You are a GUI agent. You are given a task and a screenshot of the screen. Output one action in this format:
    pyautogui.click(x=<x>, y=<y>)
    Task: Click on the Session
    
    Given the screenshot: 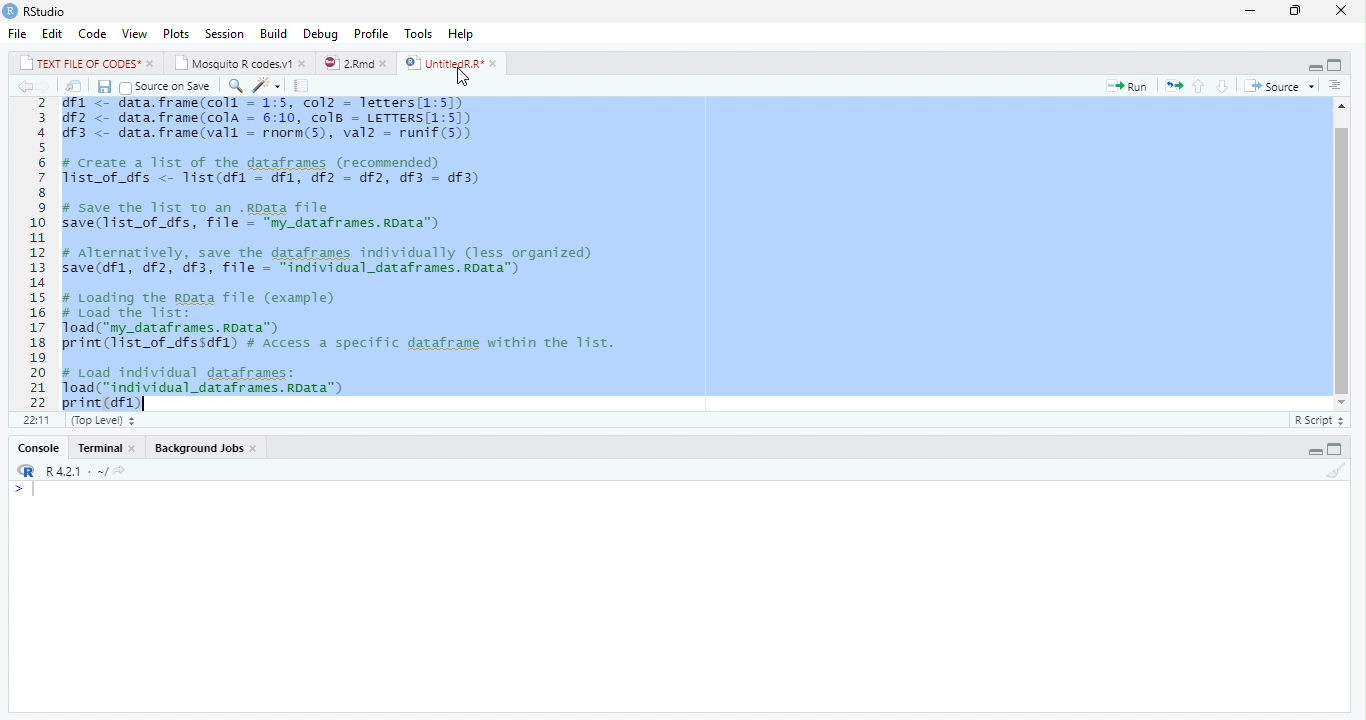 What is the action you would take?
    pyautogui.click(x=224, y=33)
    